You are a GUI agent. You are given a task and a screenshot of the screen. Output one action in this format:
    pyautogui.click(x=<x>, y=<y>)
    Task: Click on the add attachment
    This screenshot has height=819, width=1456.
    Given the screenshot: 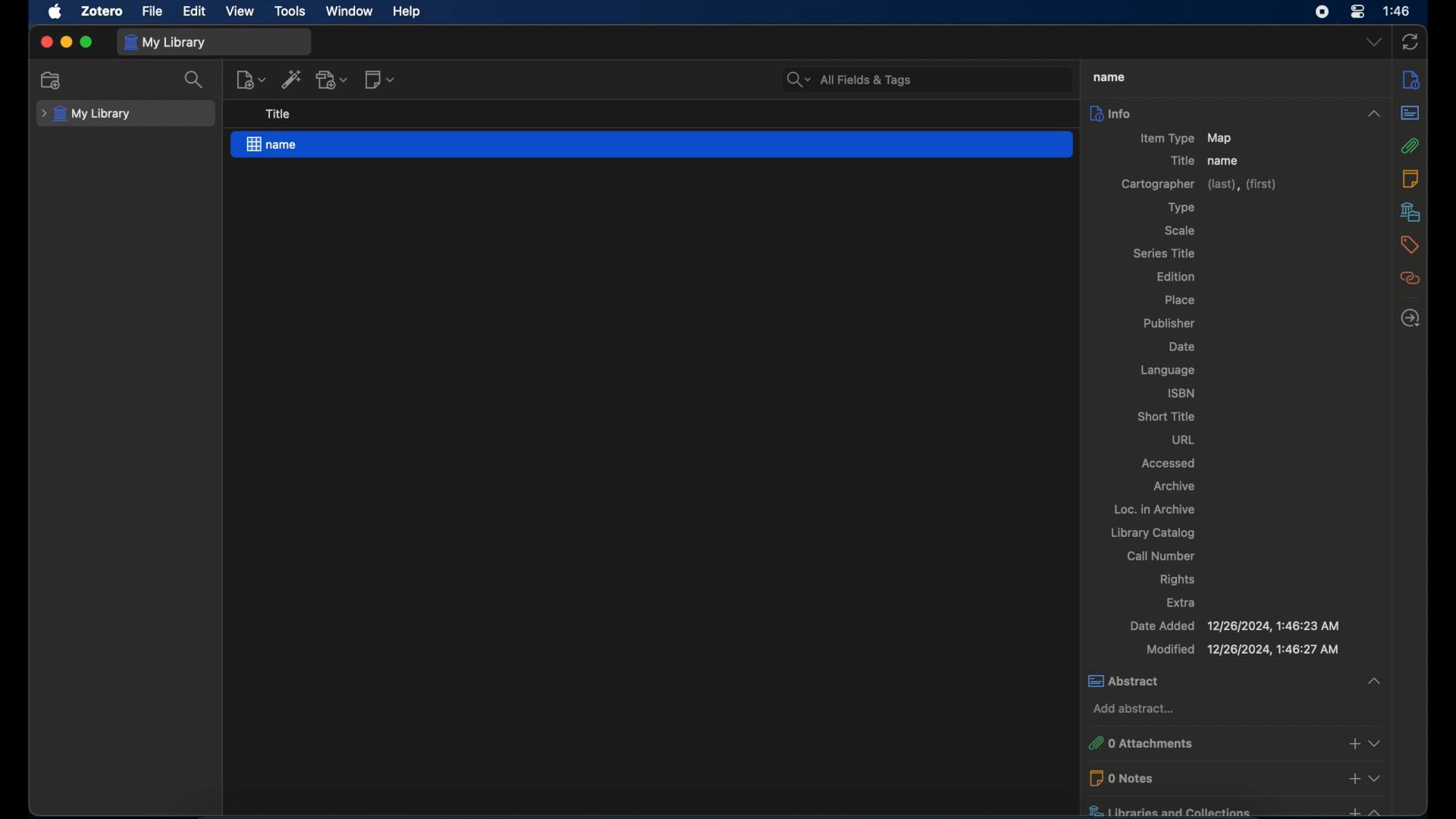 What is the action you would take?
    pyautogui.click(x=333, y=79)
    